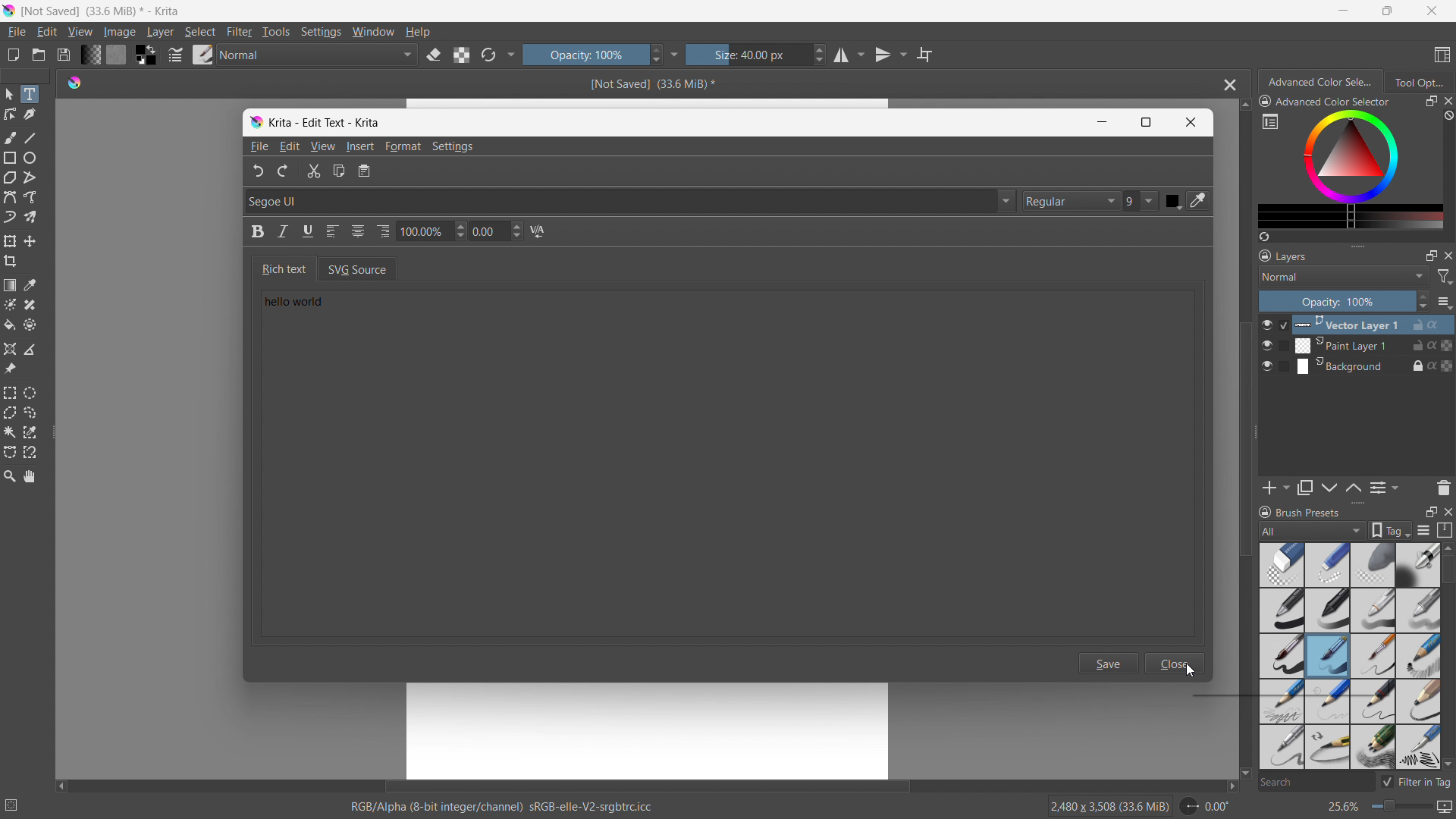 This screenshot has height=819, width=1456. I want to click on light nib pencil, so click(1328, 701).